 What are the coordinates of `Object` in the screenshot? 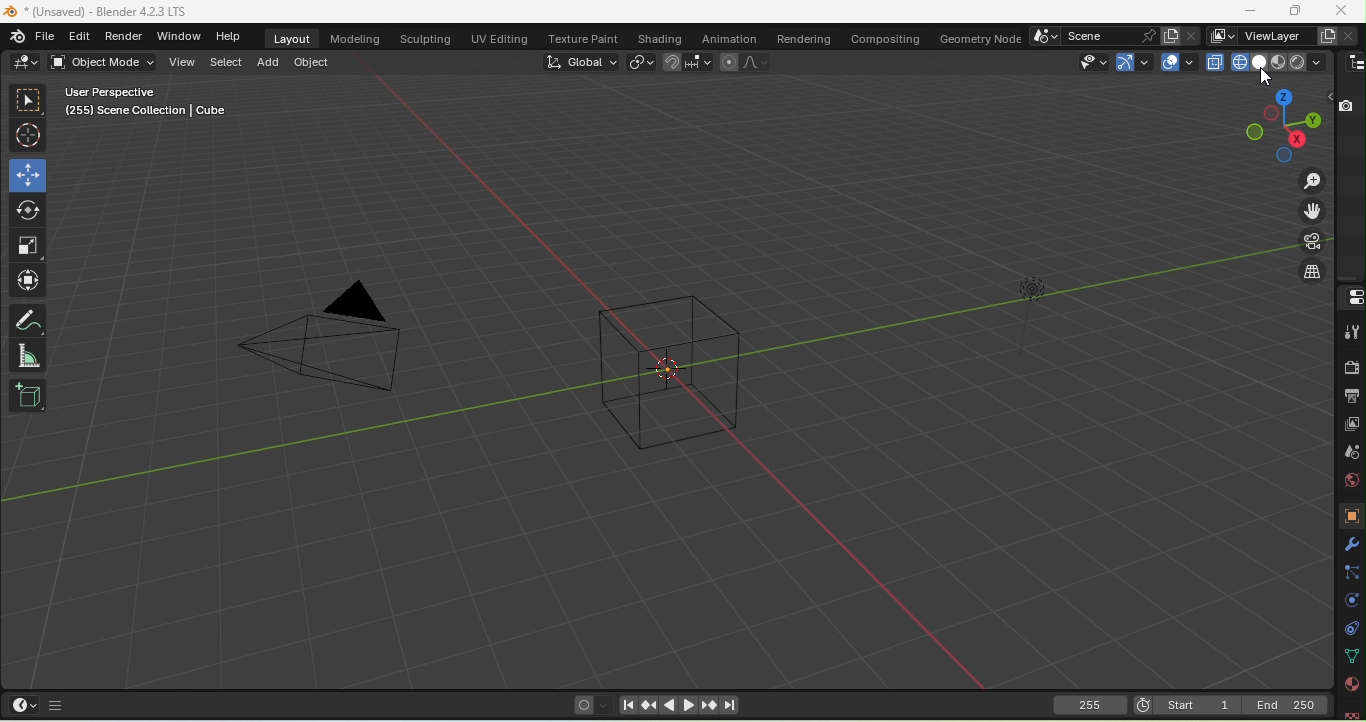 It's located at (1347, 515).